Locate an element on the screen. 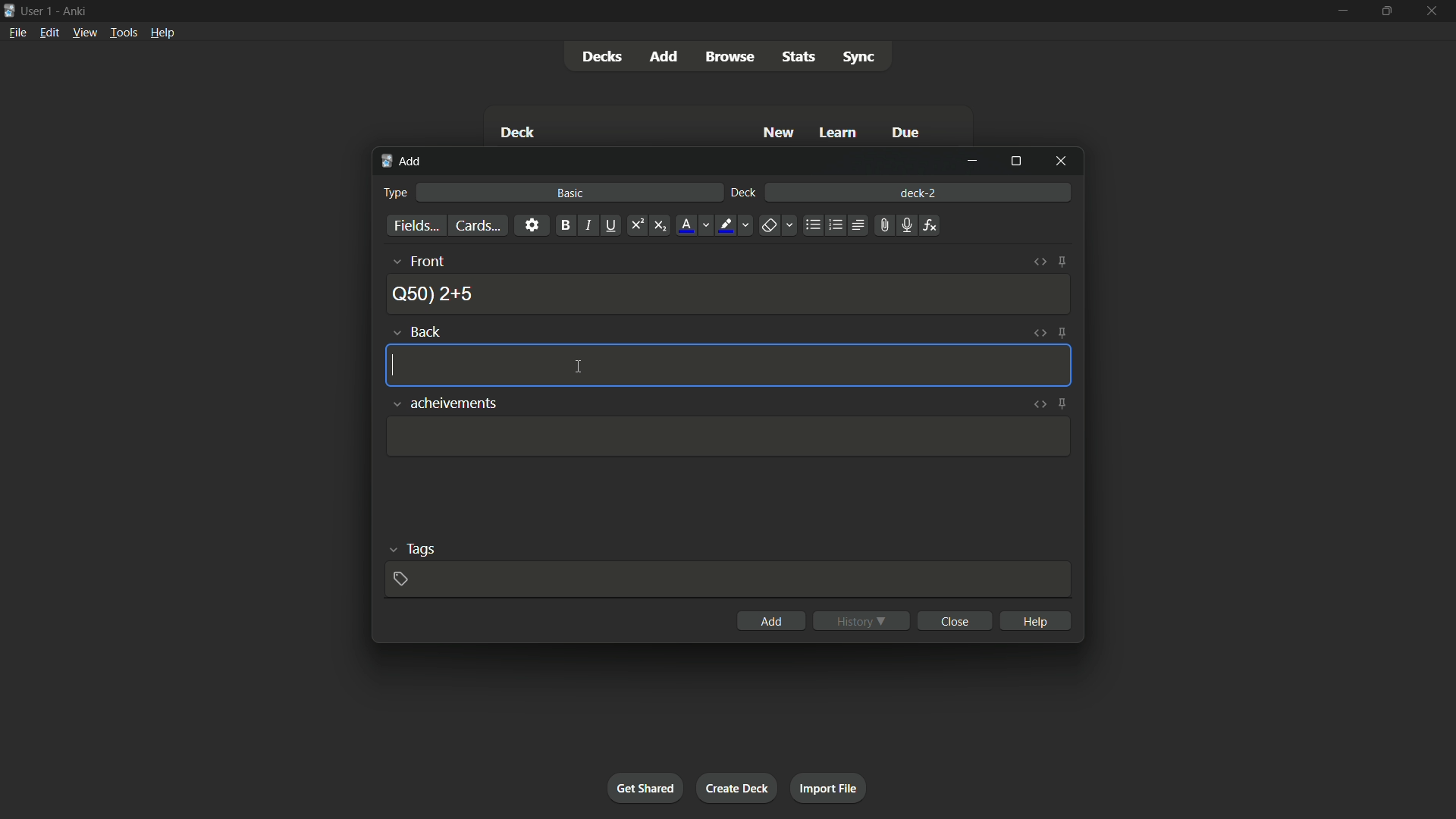 This screenshot has height=819, width=1456. cursor is located at coordinates (394, 364).